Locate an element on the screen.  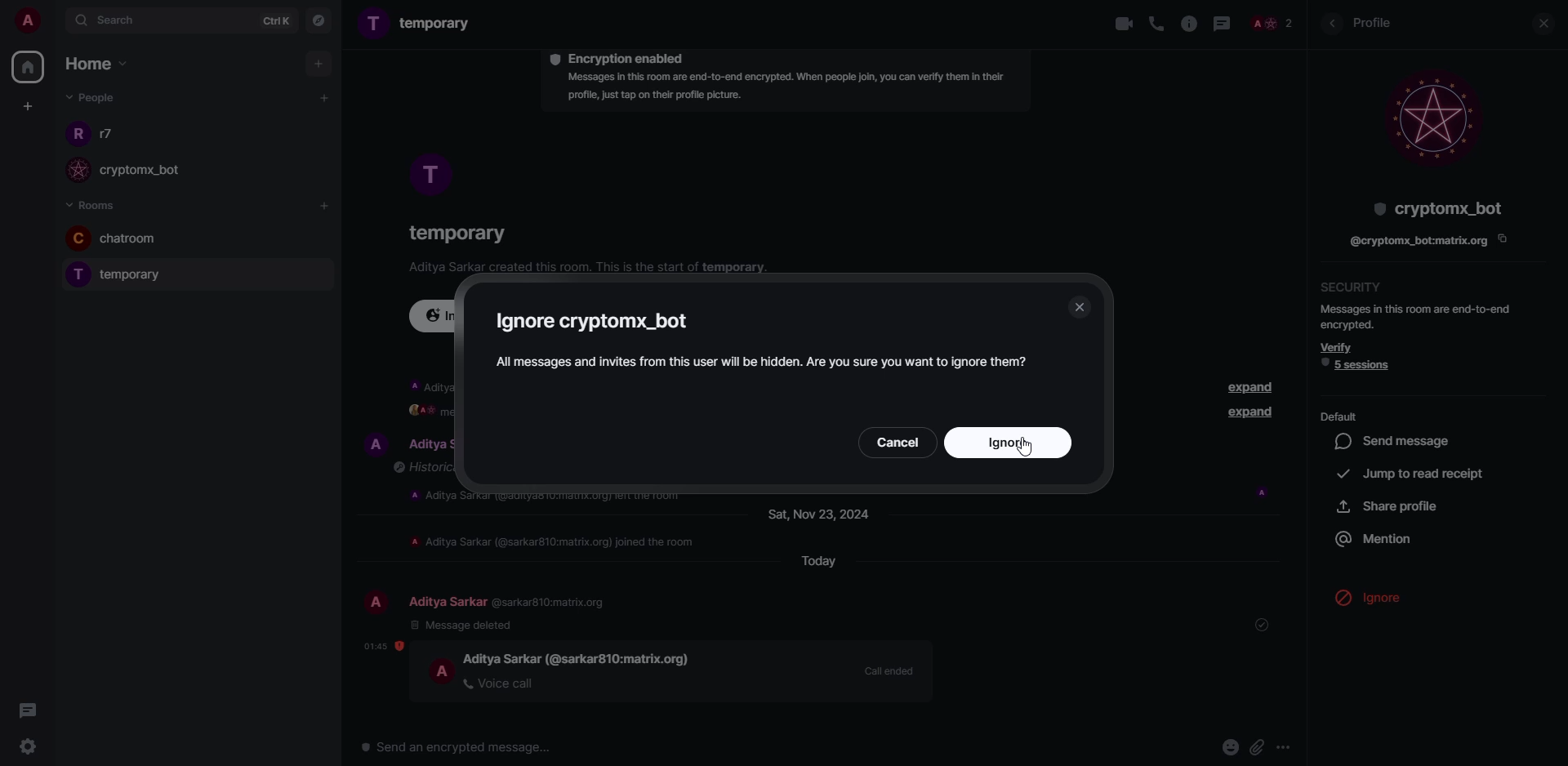
profile image is located at coordinates (81, 170).